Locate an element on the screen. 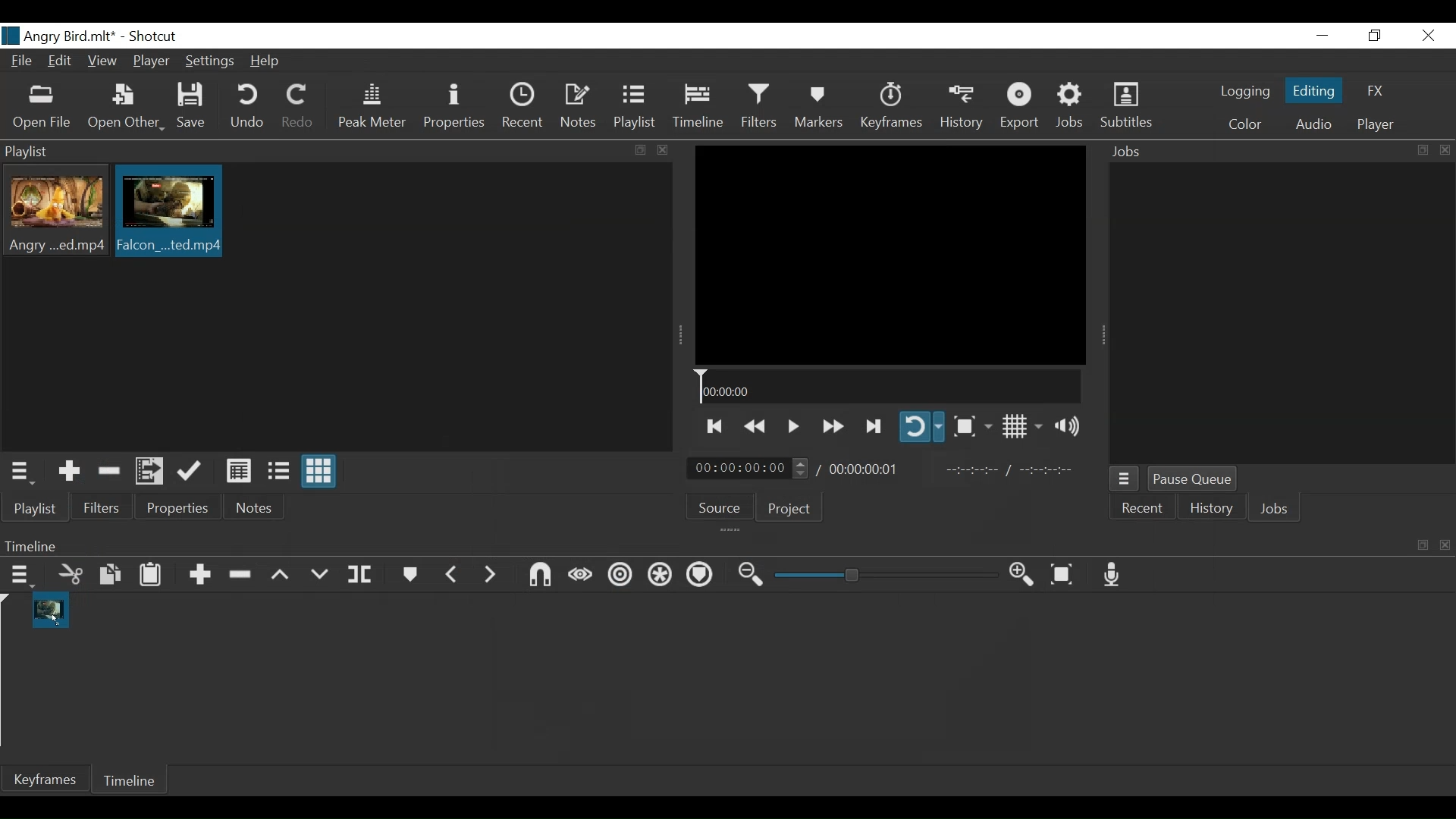  Zoom slider is located at coordinates (889, 575).